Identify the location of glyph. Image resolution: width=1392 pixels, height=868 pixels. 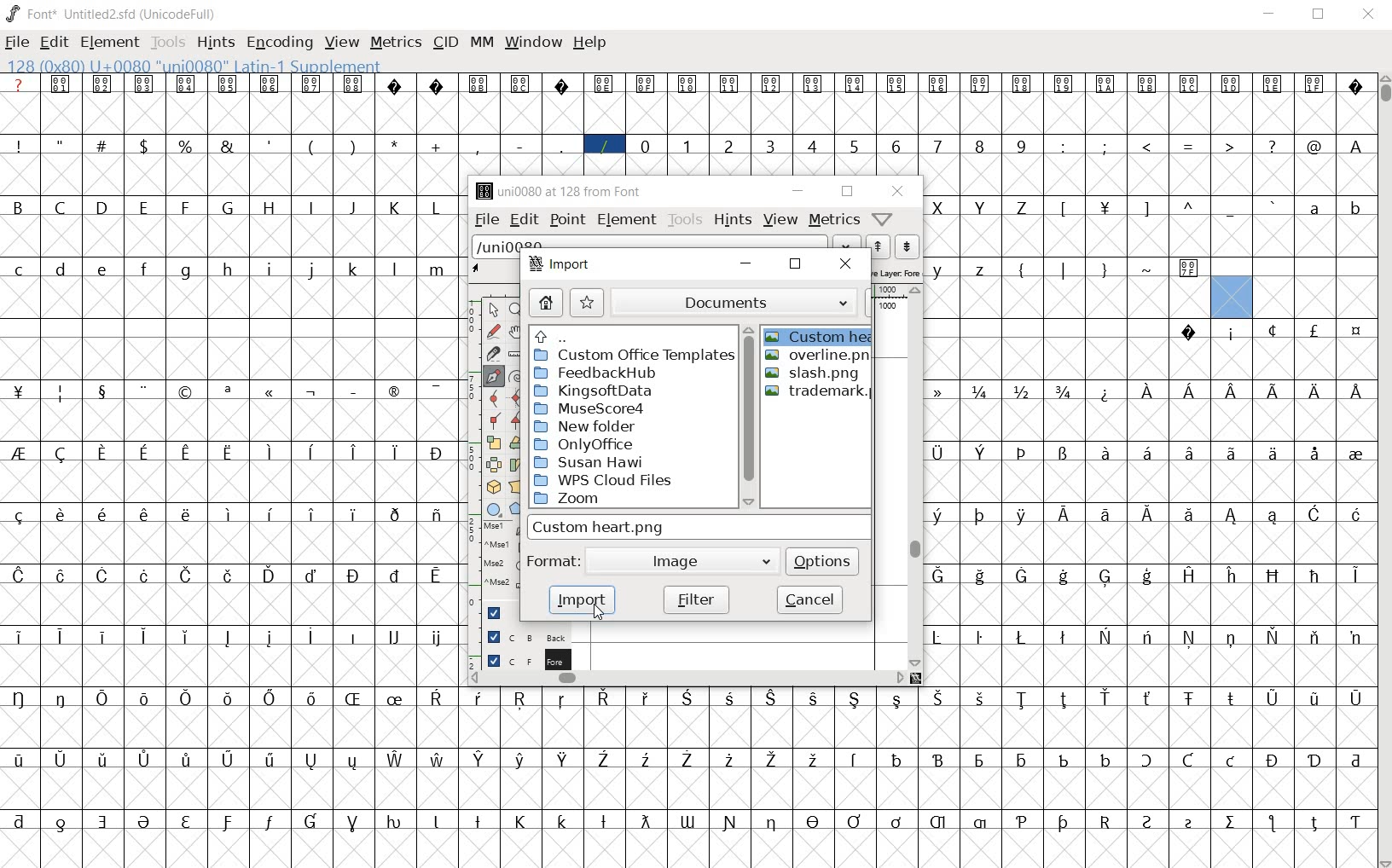
(437, 576).